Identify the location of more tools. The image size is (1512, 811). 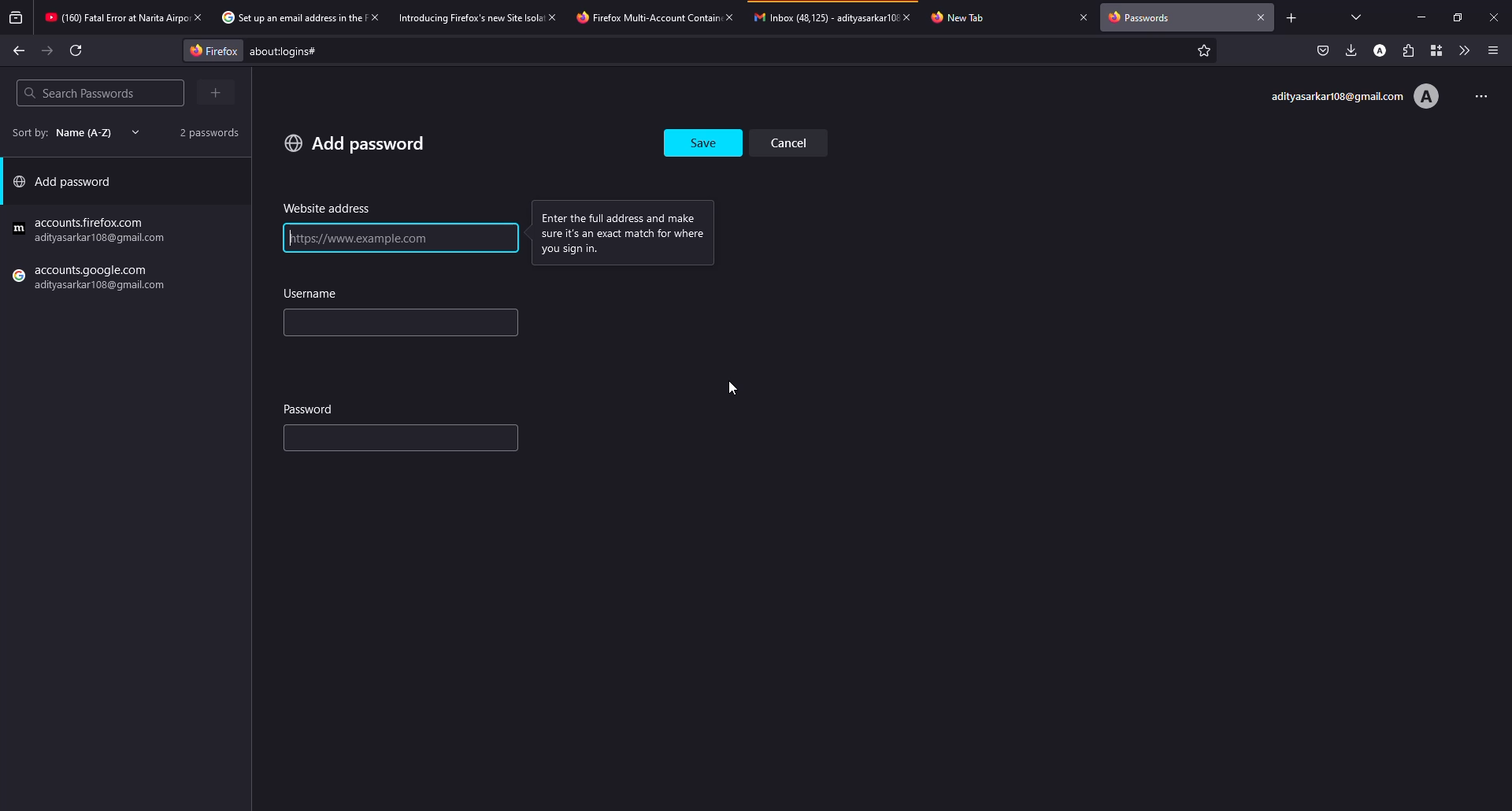
(1461, 50).